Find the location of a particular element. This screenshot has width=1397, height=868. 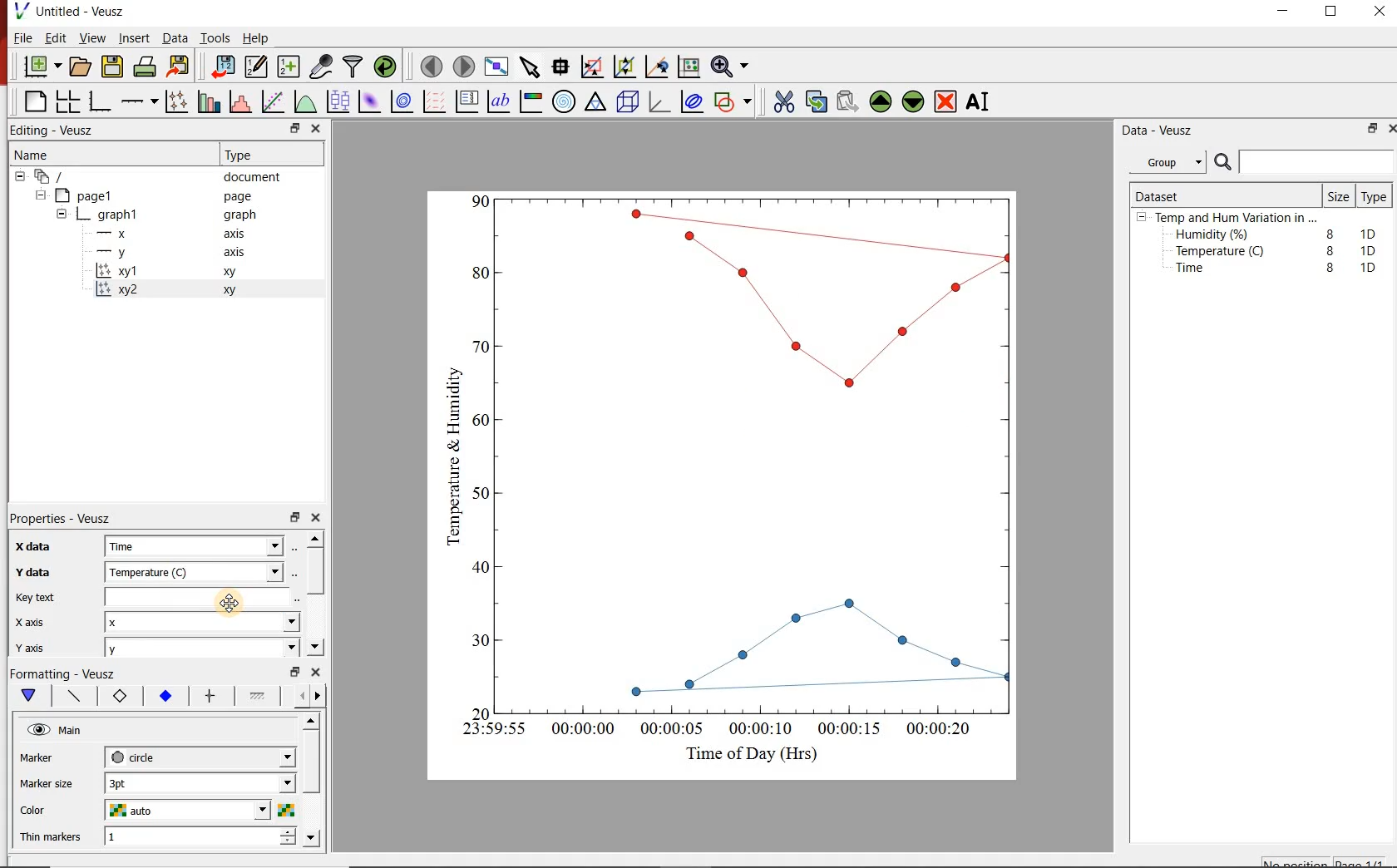

plot key is located at coordinates (470, 101).